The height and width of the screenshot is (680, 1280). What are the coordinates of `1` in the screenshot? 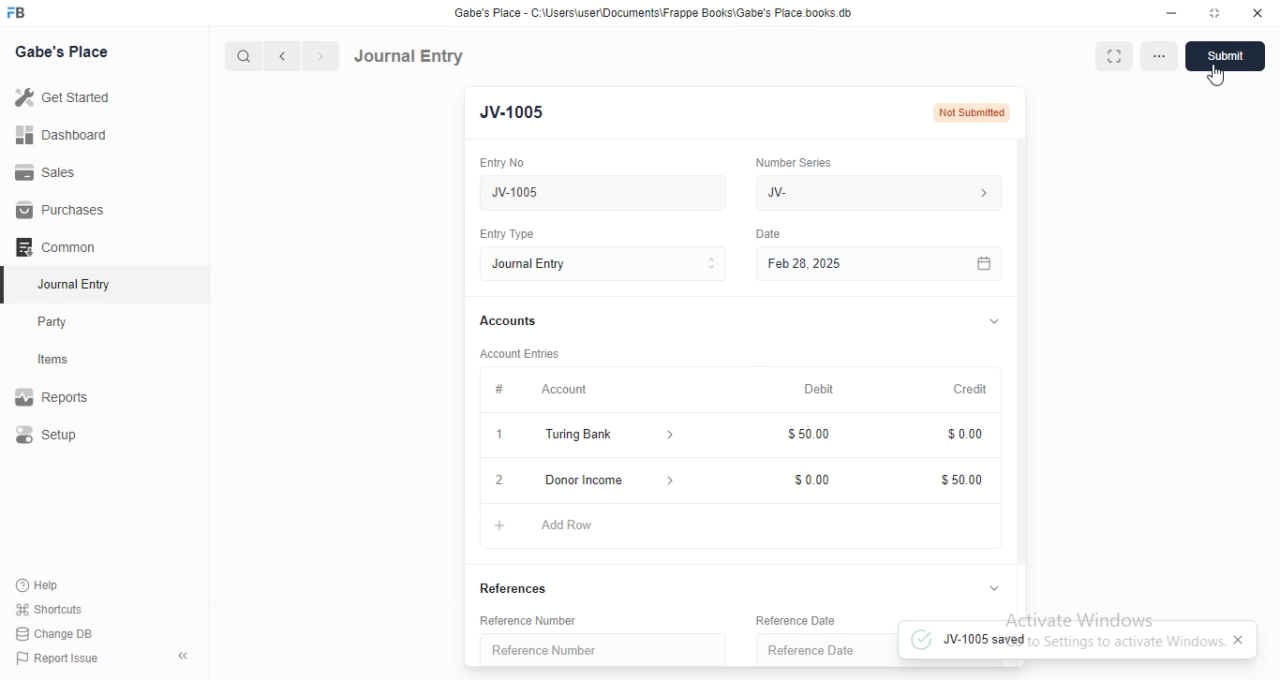 It's located at (496, 435).